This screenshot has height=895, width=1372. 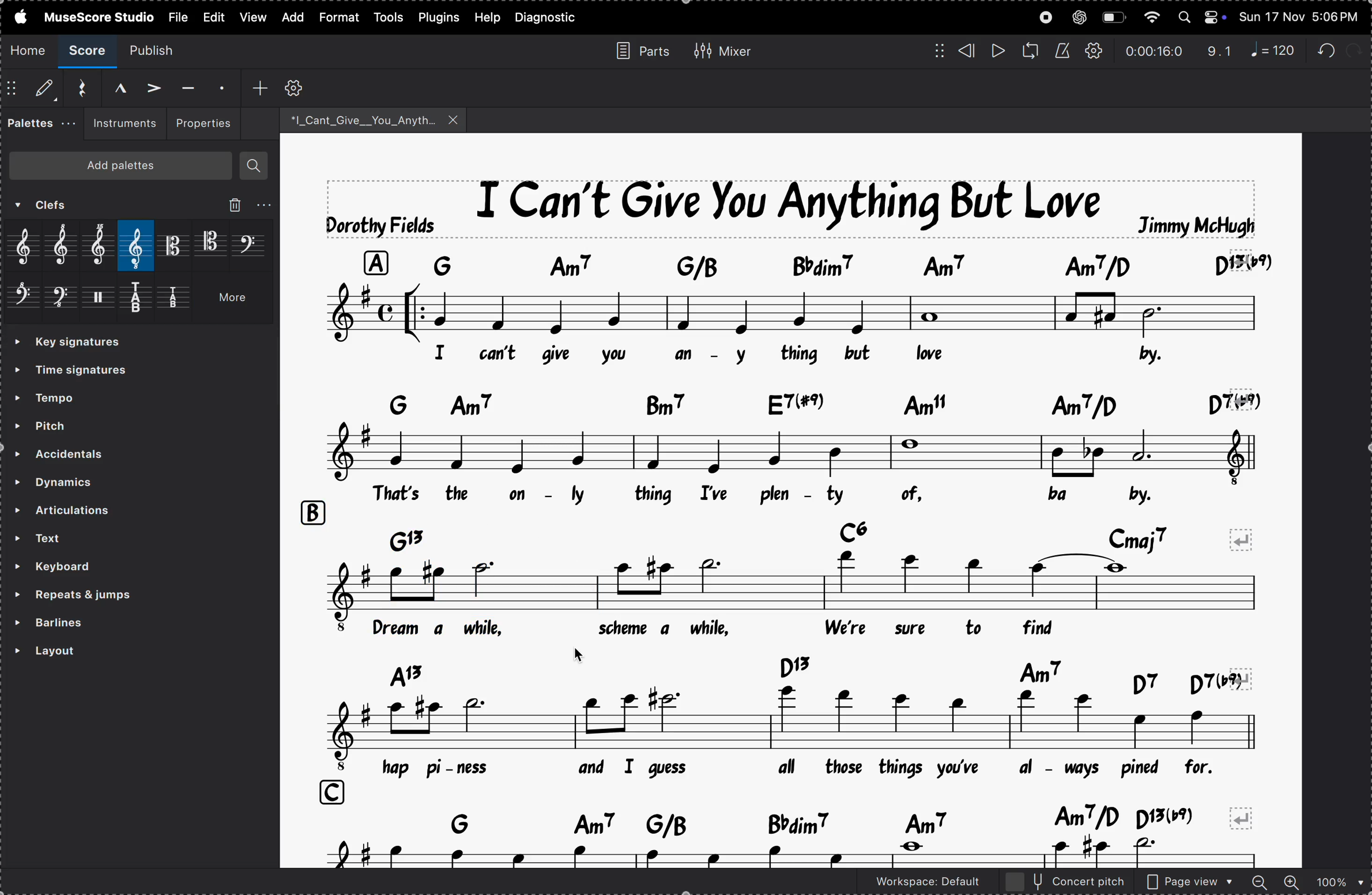 What do you see at coordinates (61, 302) in the screenshot?
I see `bass clef 8 bassa` at bounding box center [61, 302].